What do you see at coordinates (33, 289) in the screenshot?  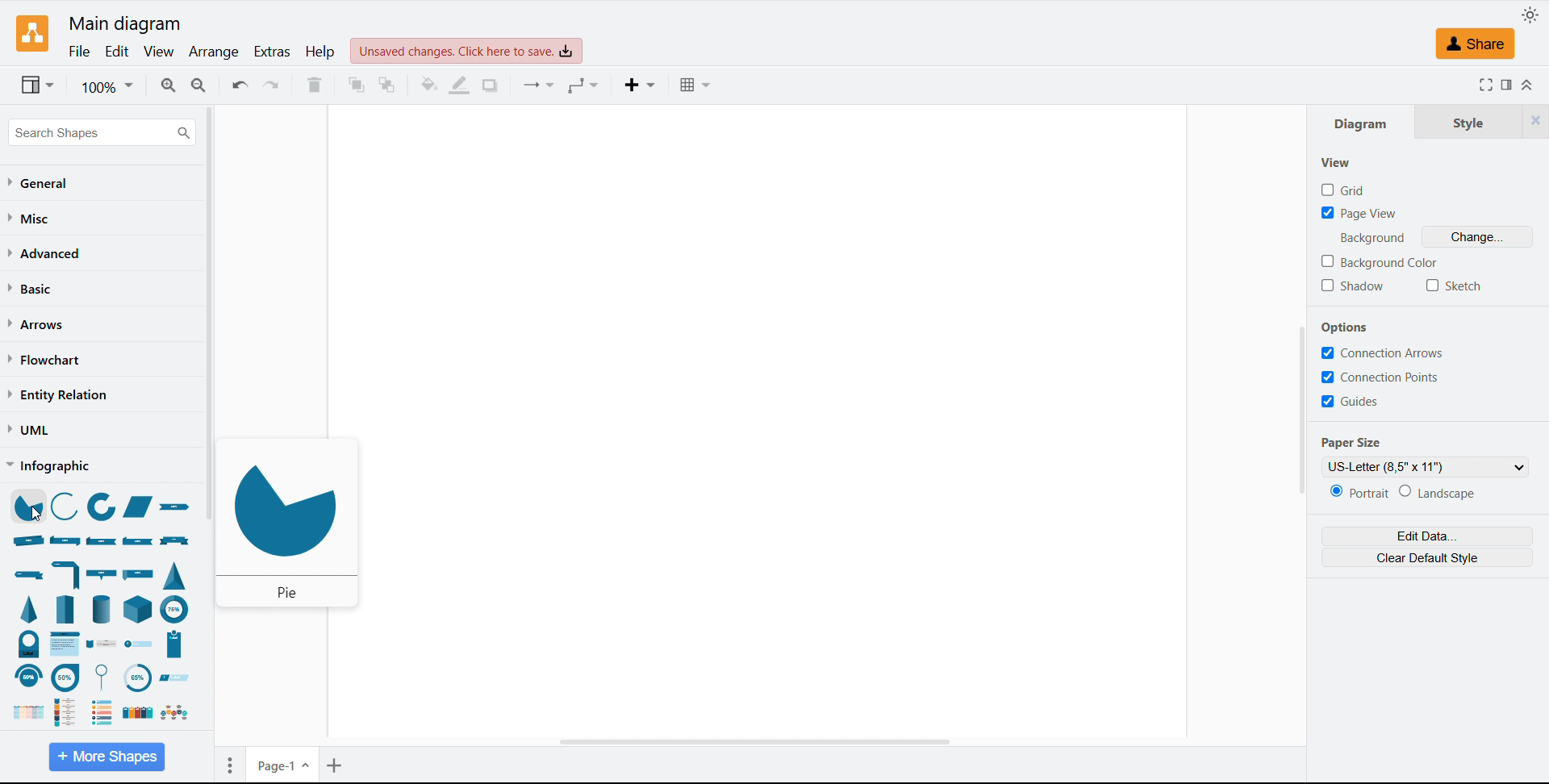 I see ` Basic ` at bounding box center [33, 289].